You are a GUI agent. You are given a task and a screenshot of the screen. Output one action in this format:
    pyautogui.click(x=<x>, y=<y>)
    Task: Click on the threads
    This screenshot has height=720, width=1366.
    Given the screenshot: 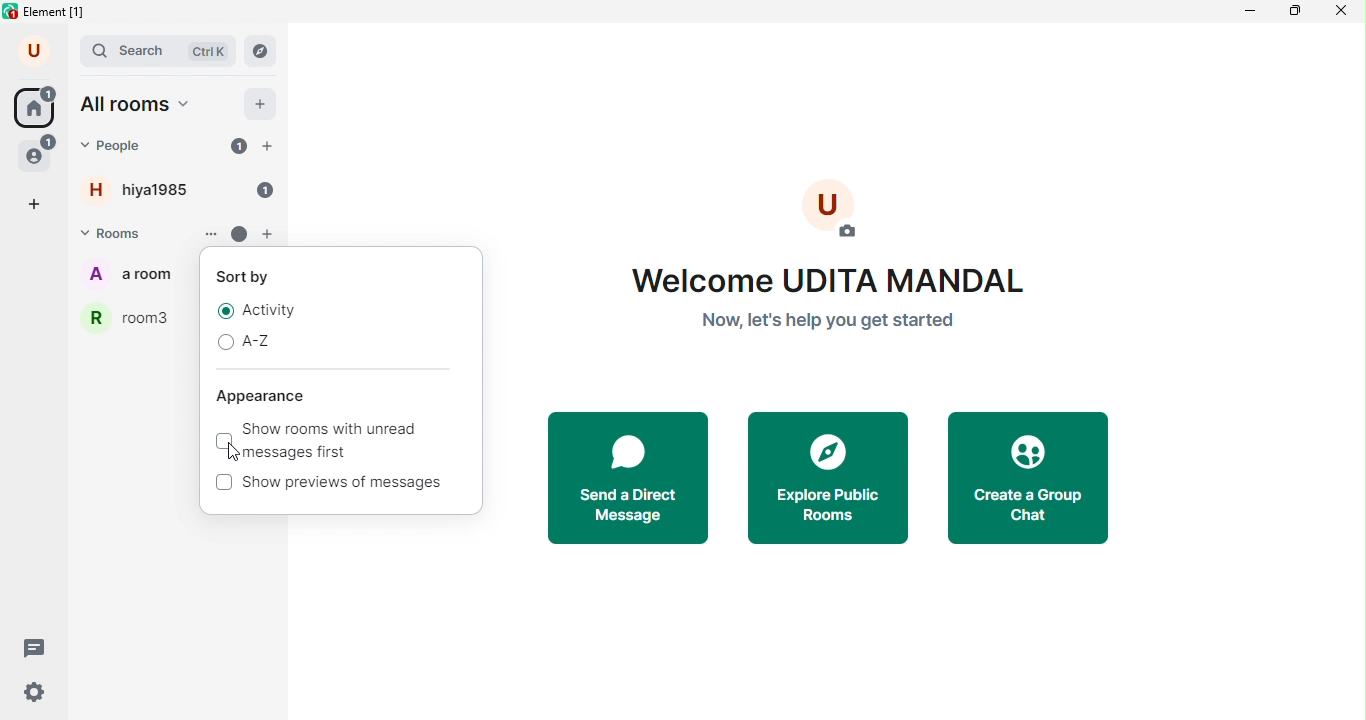 What is the action you would take?
    pyautogui.click(x=38, y=649)
    